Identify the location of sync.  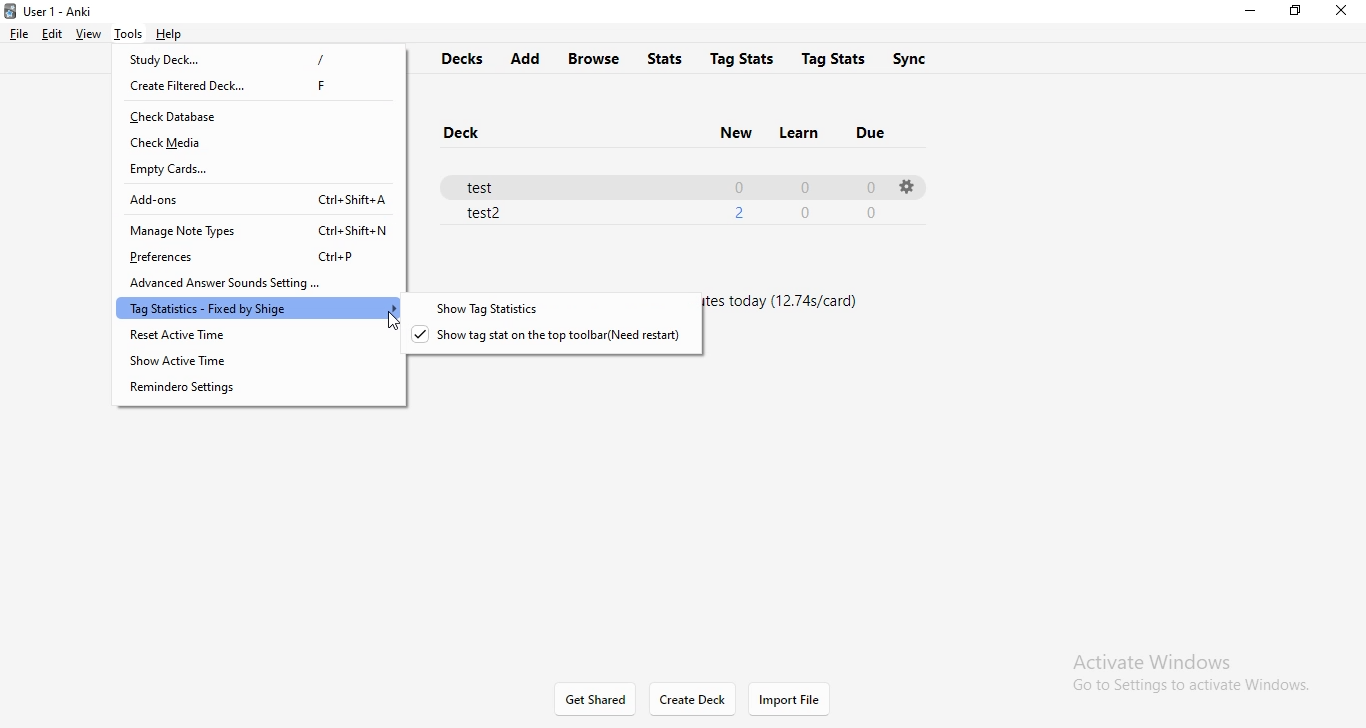
(913, 58).